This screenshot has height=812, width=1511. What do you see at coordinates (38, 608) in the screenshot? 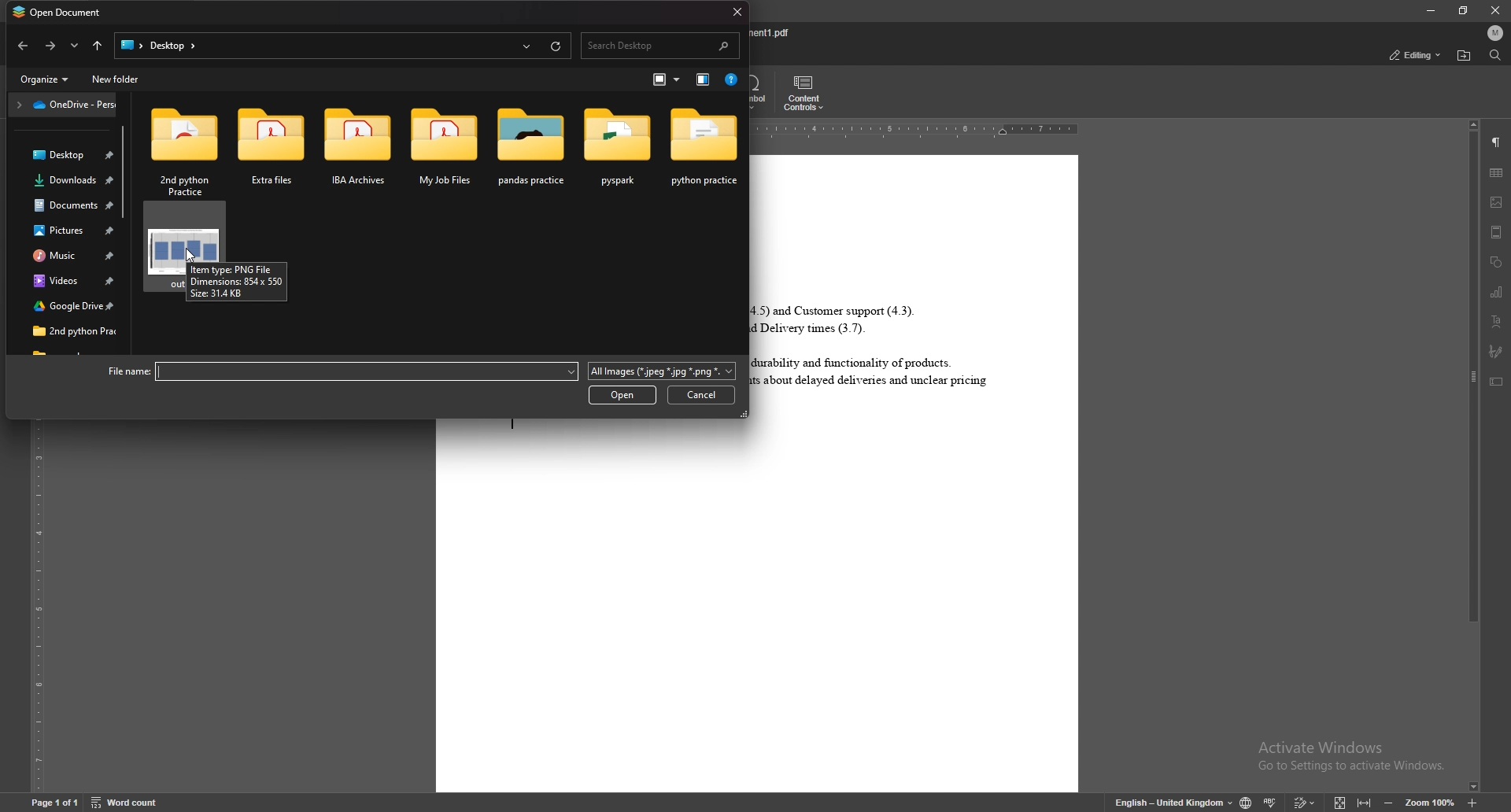
I see `vertical scale` at bounding box center [38, 608].